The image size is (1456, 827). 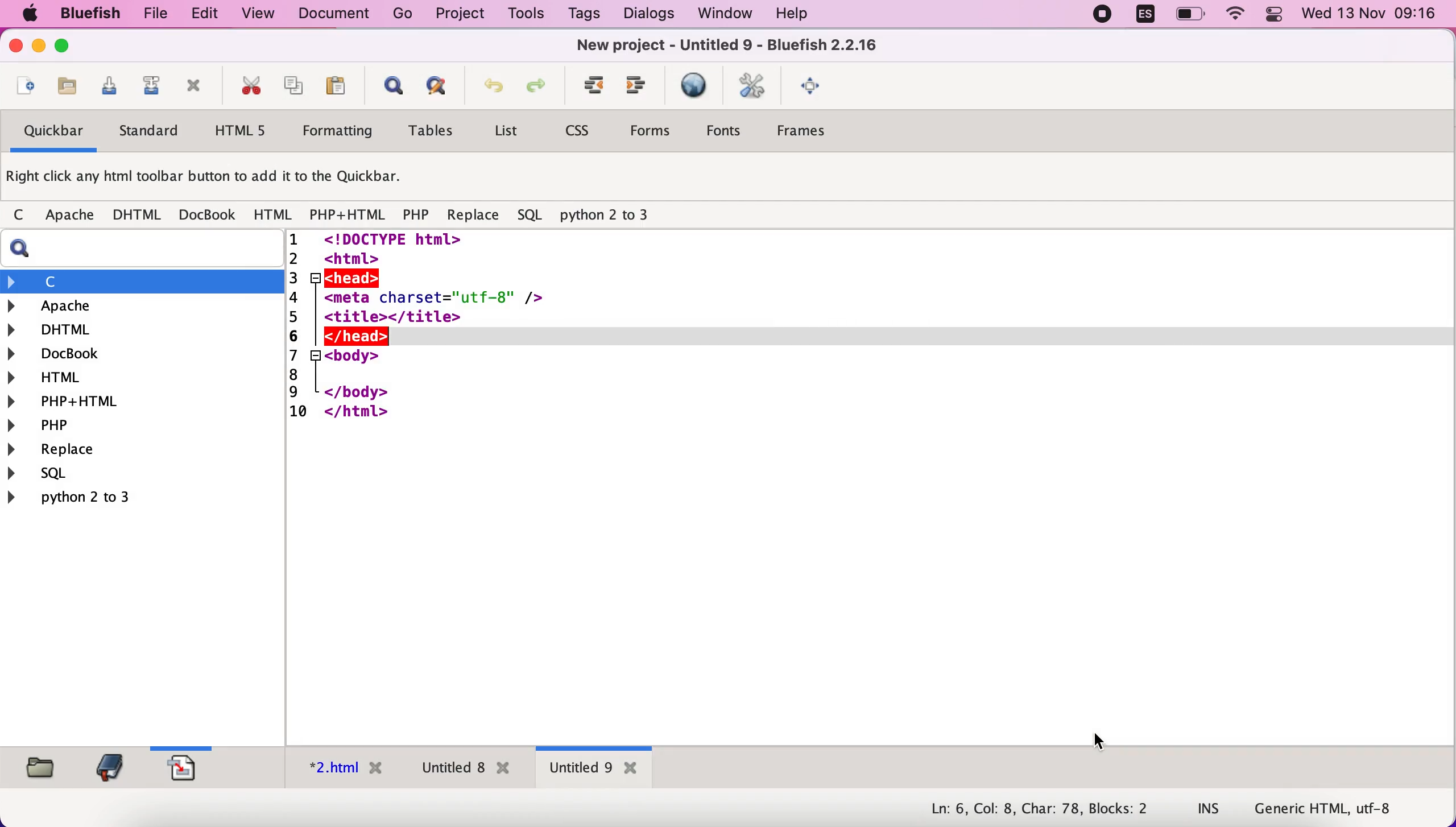 I want to click on filebrowser, so click(x=36, y=766).